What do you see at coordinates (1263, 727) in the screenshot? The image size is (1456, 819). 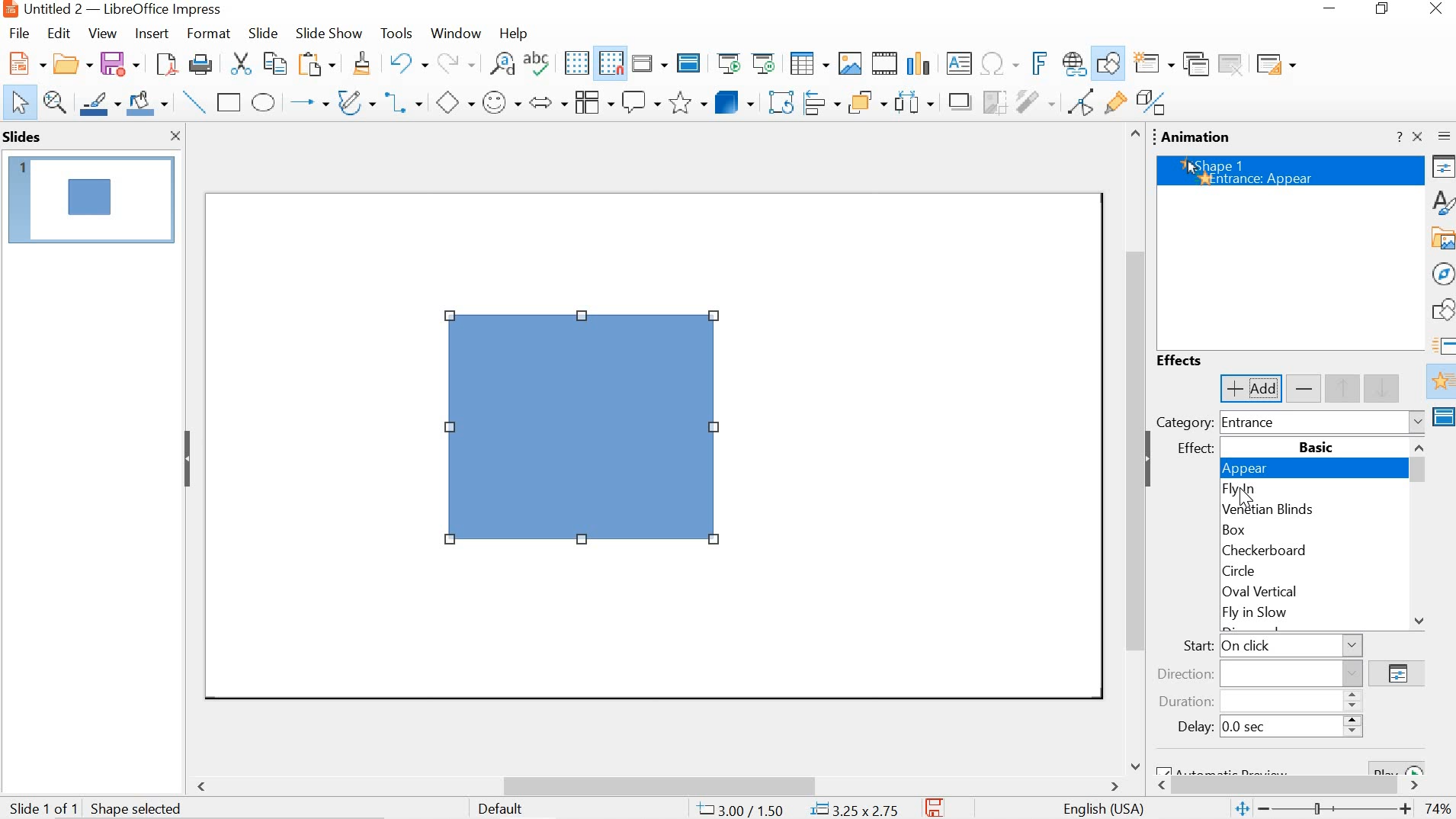 I see `delay` at bounding box center [1263, 727].